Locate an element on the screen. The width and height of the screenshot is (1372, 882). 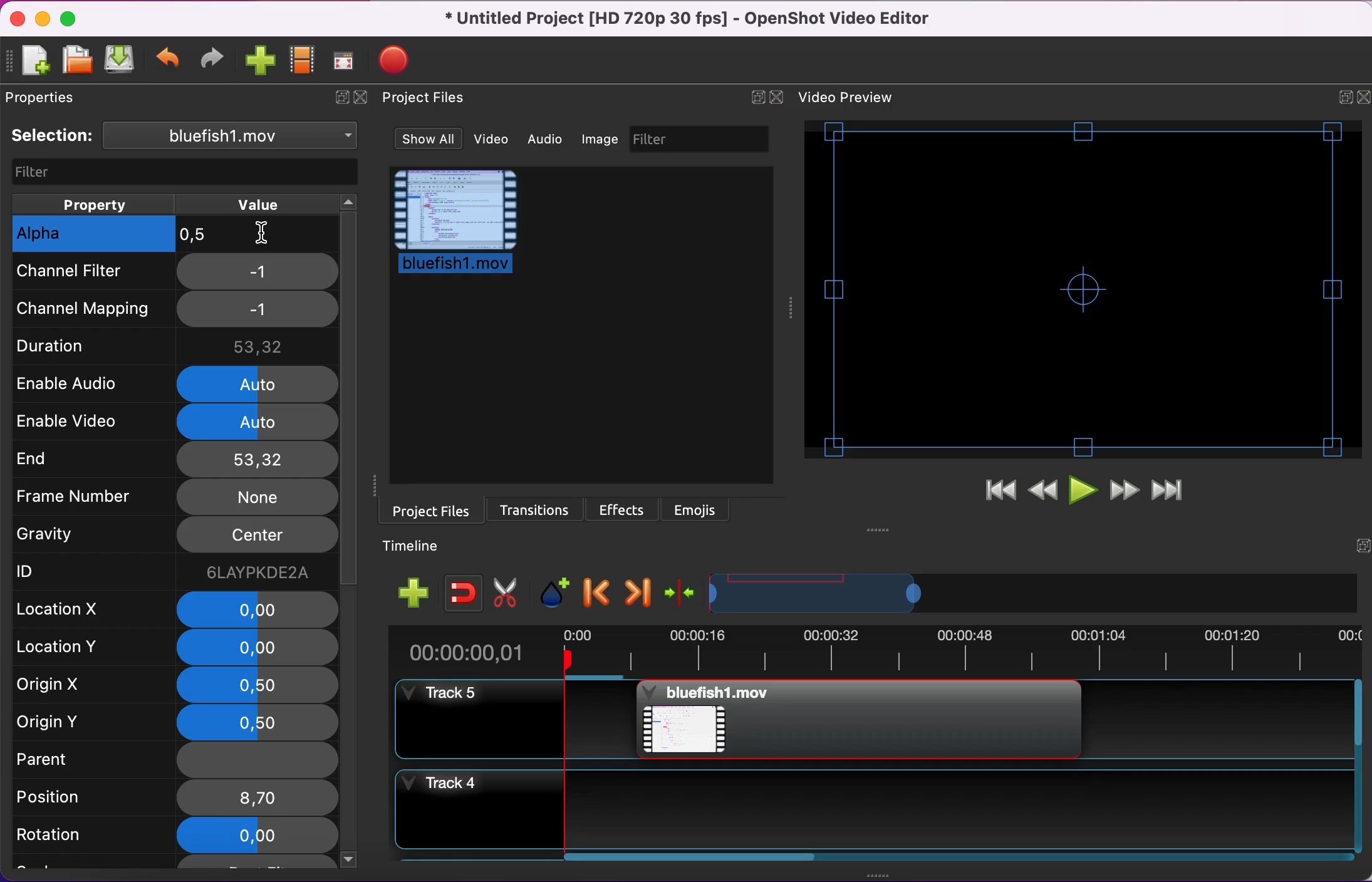
redo is located at coordinates (212, 60).